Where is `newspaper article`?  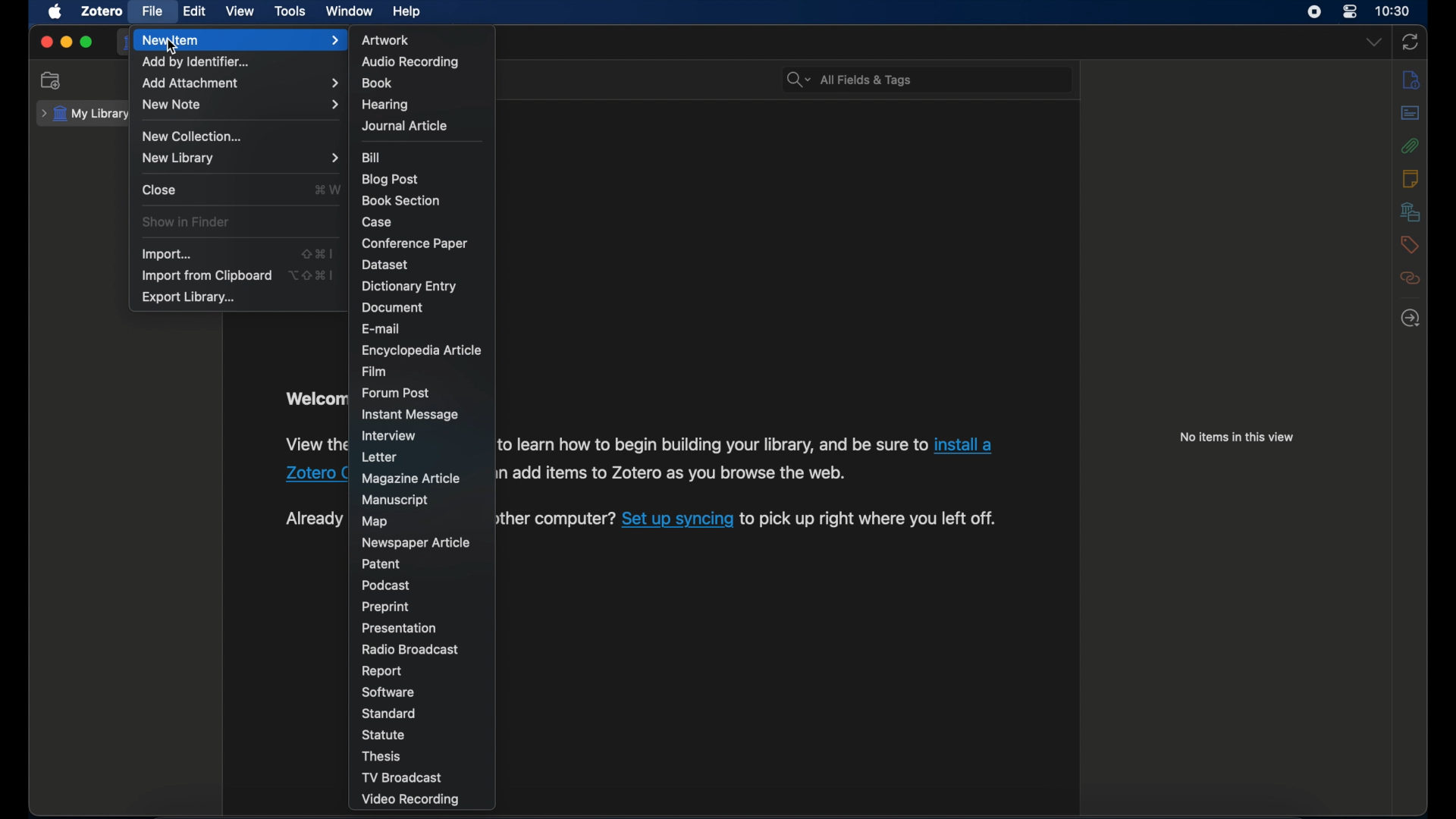
newspaper article is located at coordinates (415, 542).